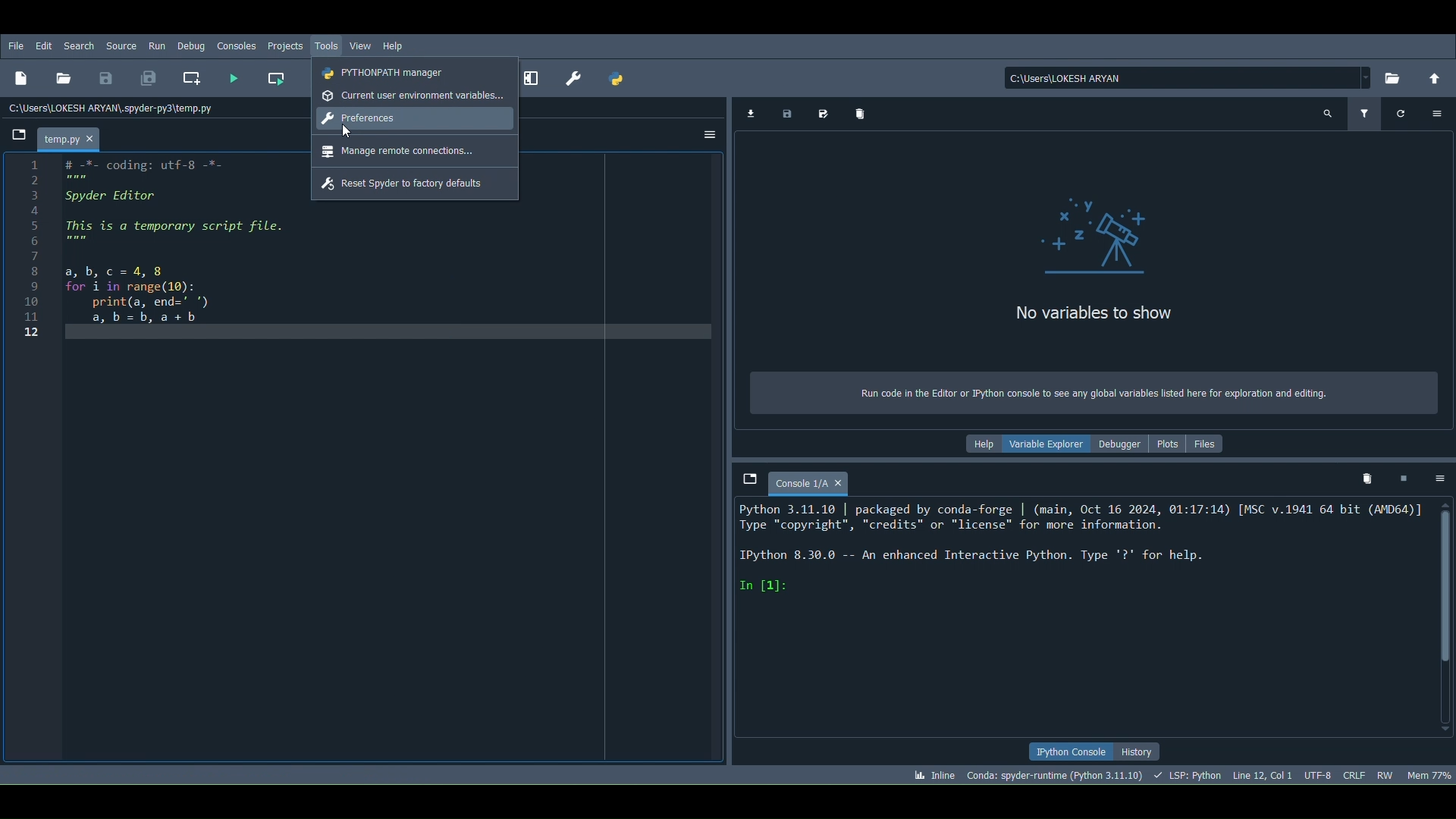  I want to click on Open file (Ctrl + O), so click(64, 76).